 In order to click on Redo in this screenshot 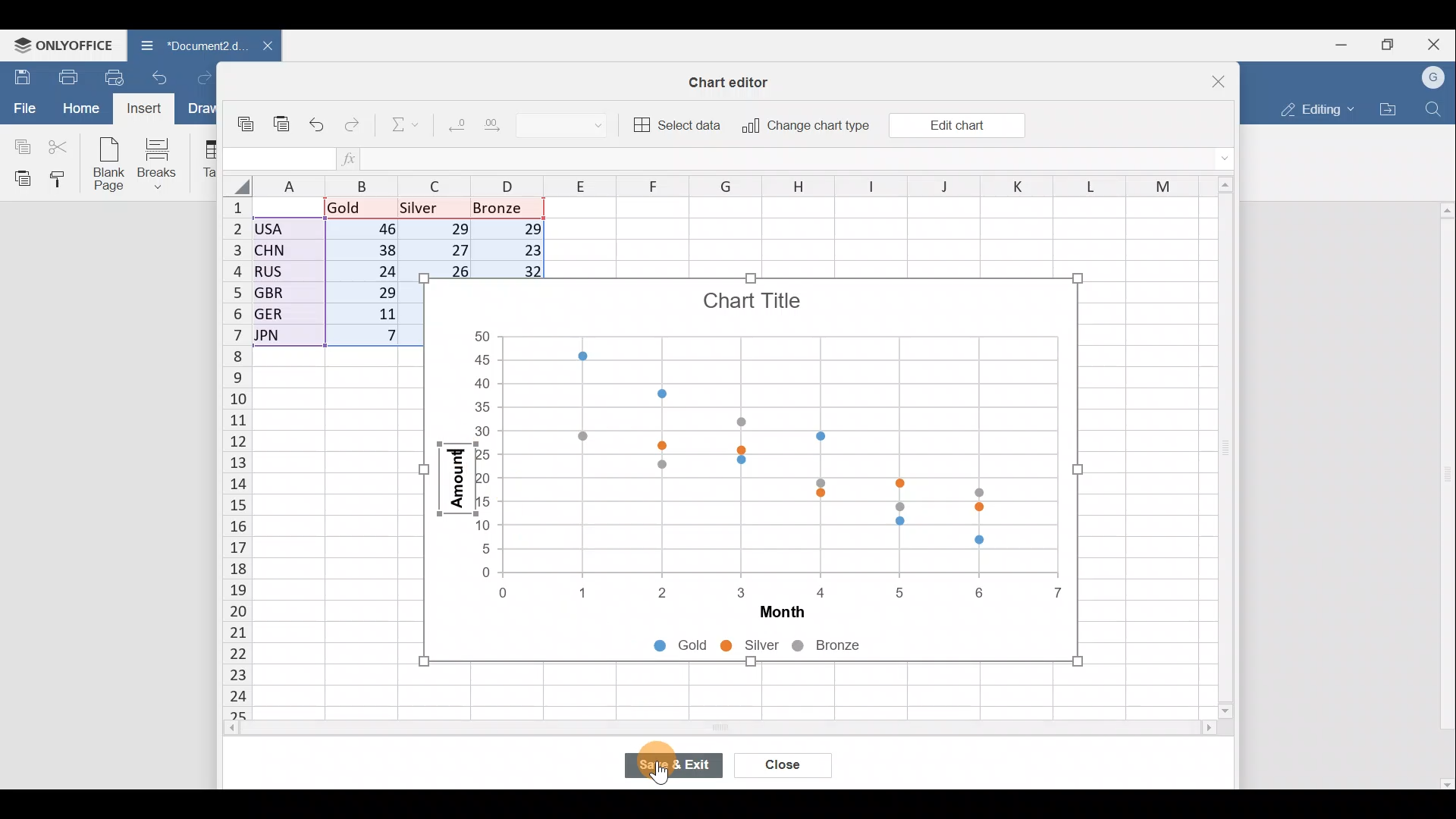, I will do `click(356, 121)`.